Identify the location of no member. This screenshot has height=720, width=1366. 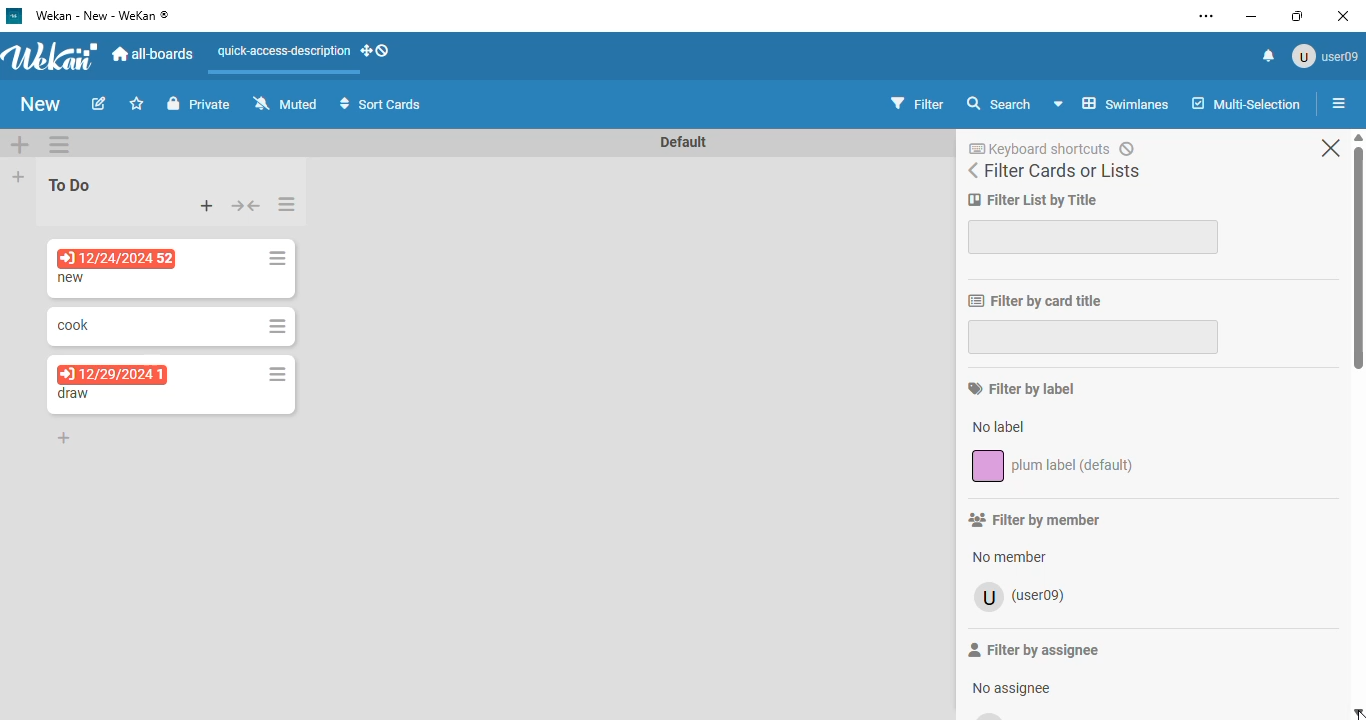
(1008, 557).